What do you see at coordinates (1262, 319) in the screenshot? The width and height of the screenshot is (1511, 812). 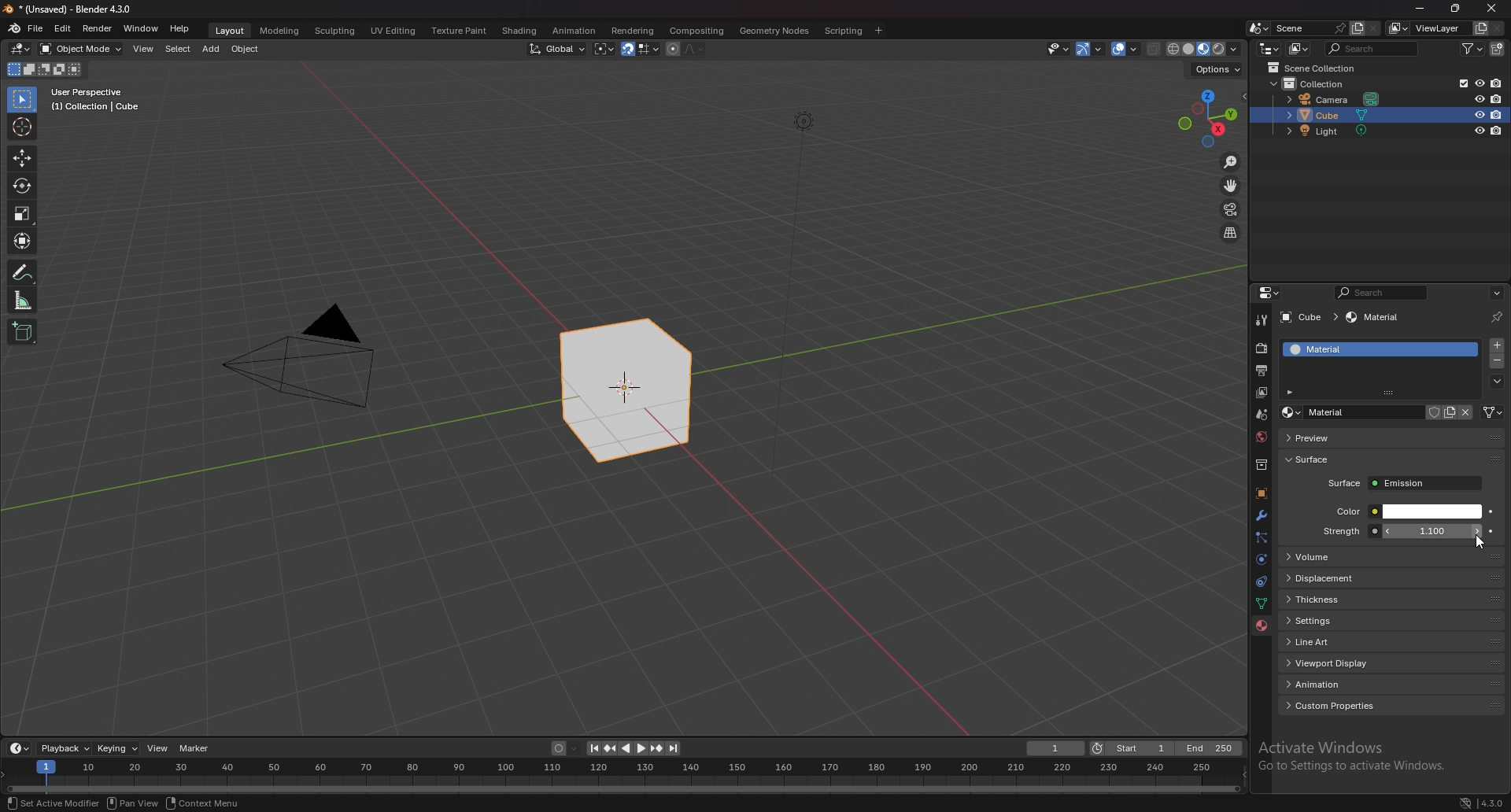 I see `tool` at bounding box center [1262, 319].